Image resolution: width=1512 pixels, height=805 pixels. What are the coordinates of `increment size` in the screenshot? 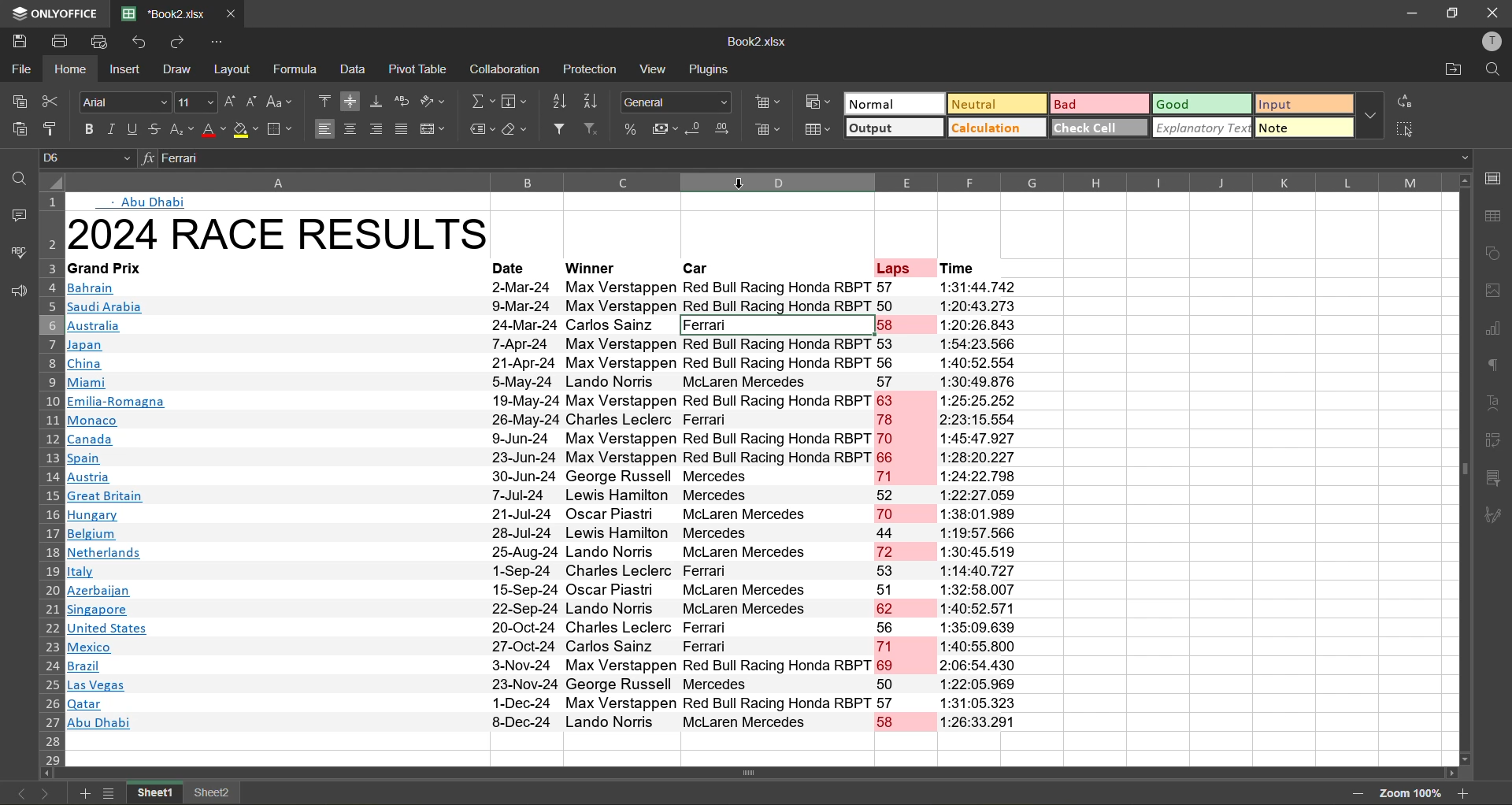 It's located at (230, 102).